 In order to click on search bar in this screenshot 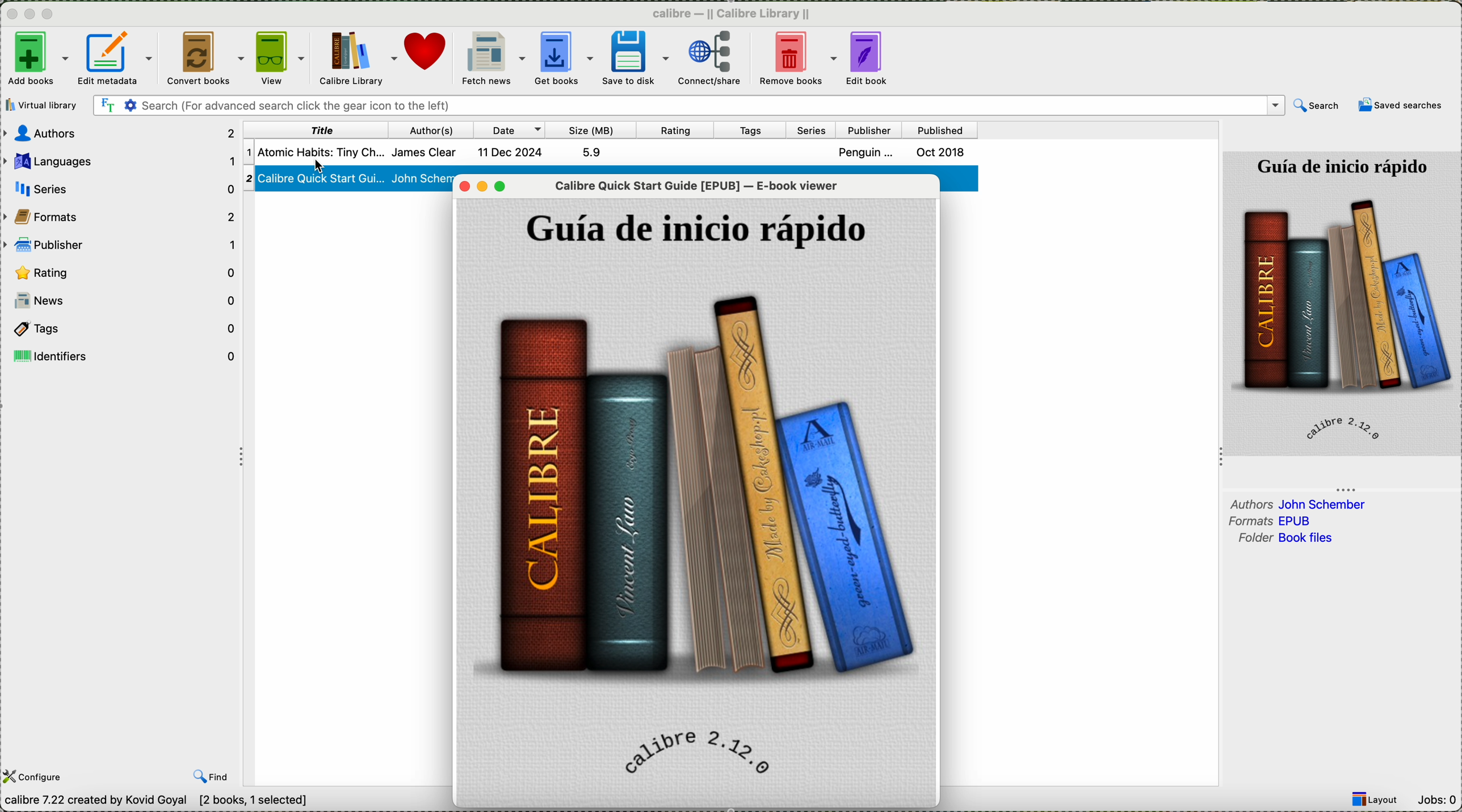, I will do `click(686, 104)`.